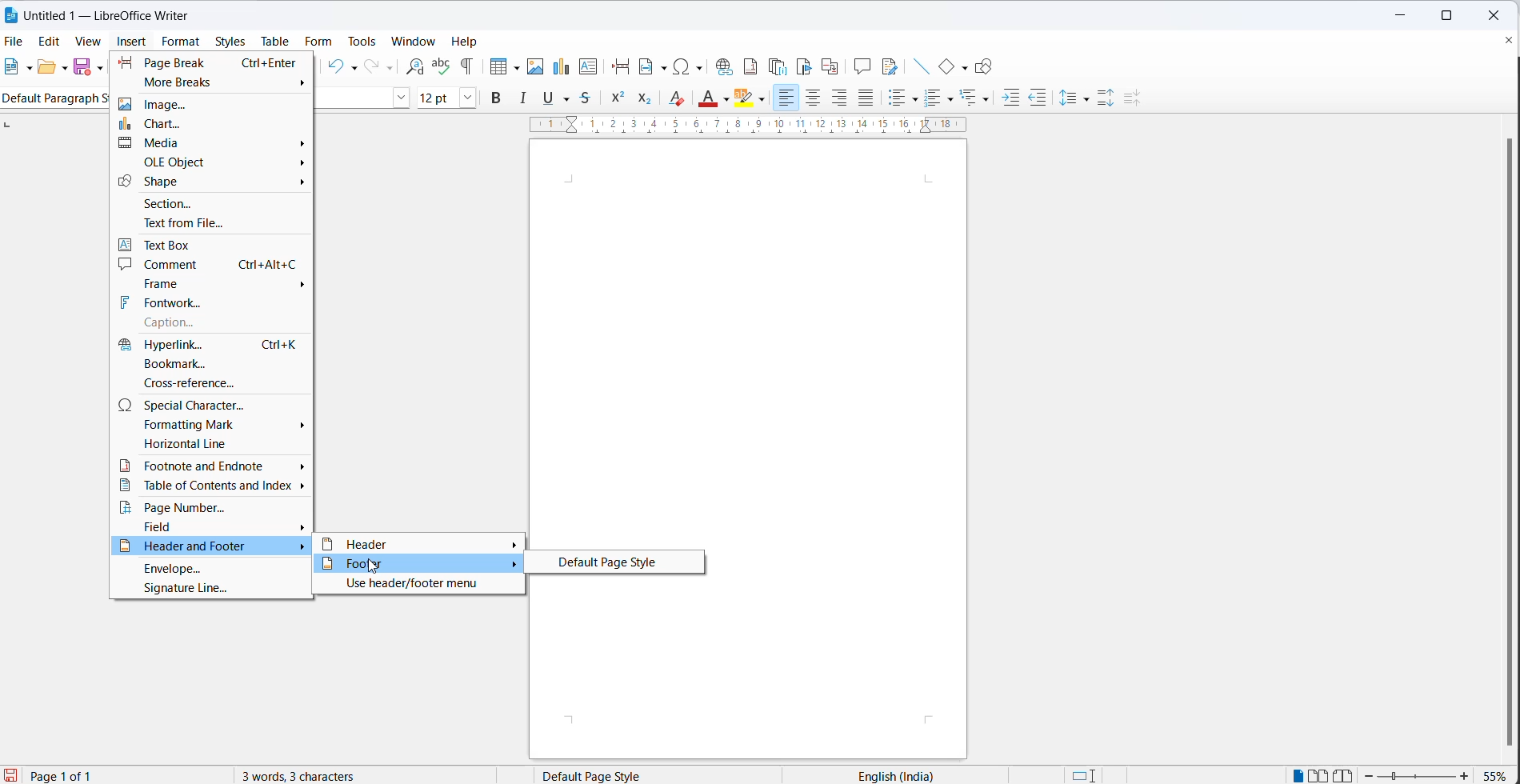 Image resolution: width=1520 pixels, height=784 pixels. What do you see at coordinates (352, 98) in the screenshot?
I see `font name` at bounding box center [352, 98].